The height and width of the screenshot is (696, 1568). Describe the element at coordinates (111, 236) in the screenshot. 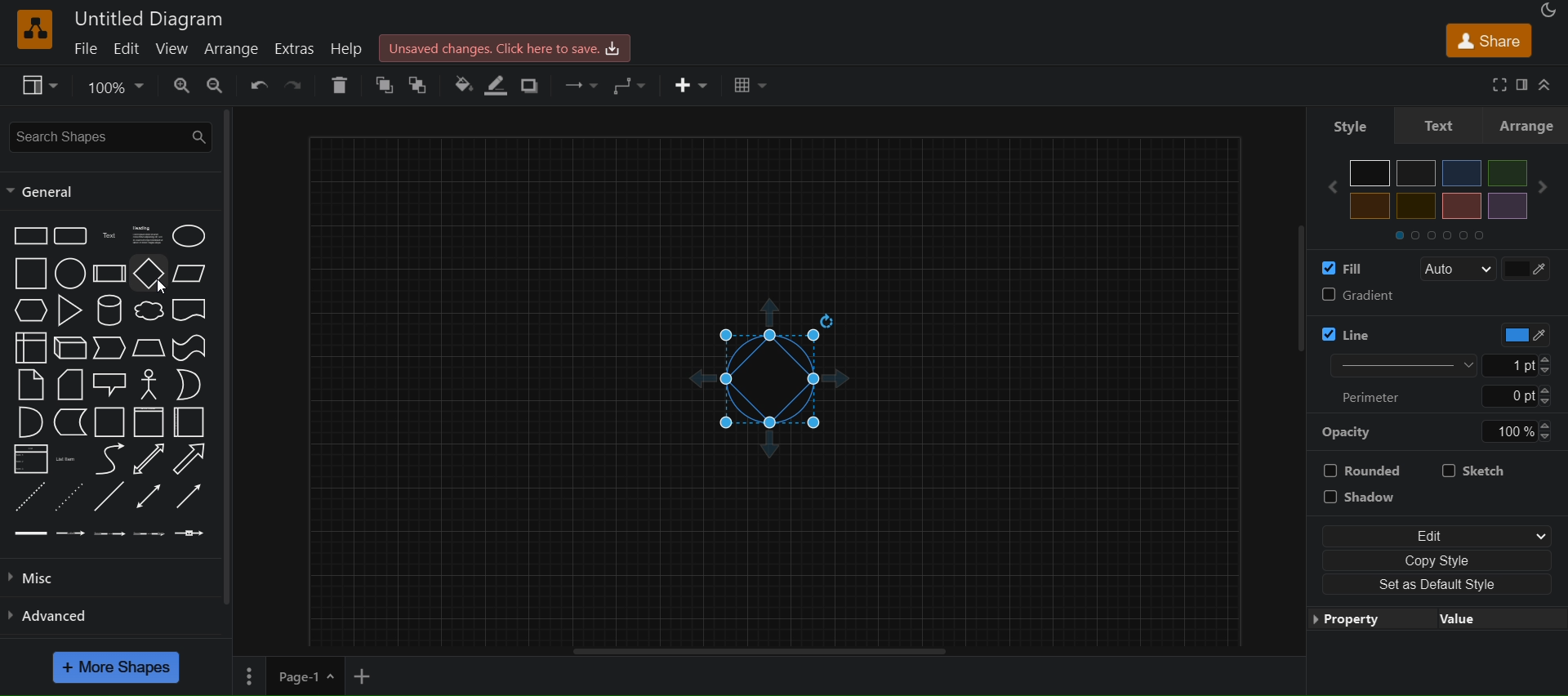

I see `text` at that location.